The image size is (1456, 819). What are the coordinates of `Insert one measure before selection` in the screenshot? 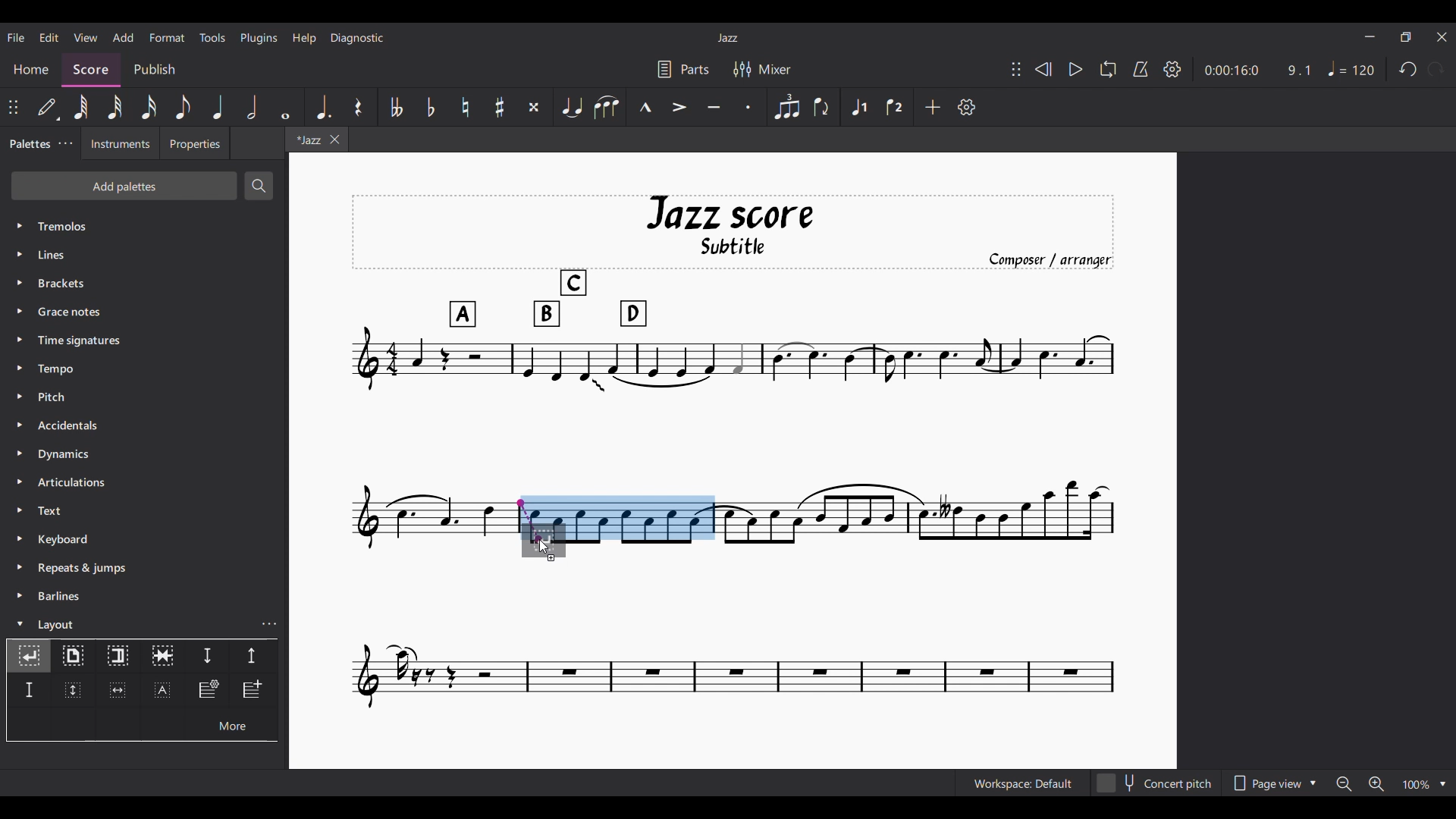 It's located at (254, 691).